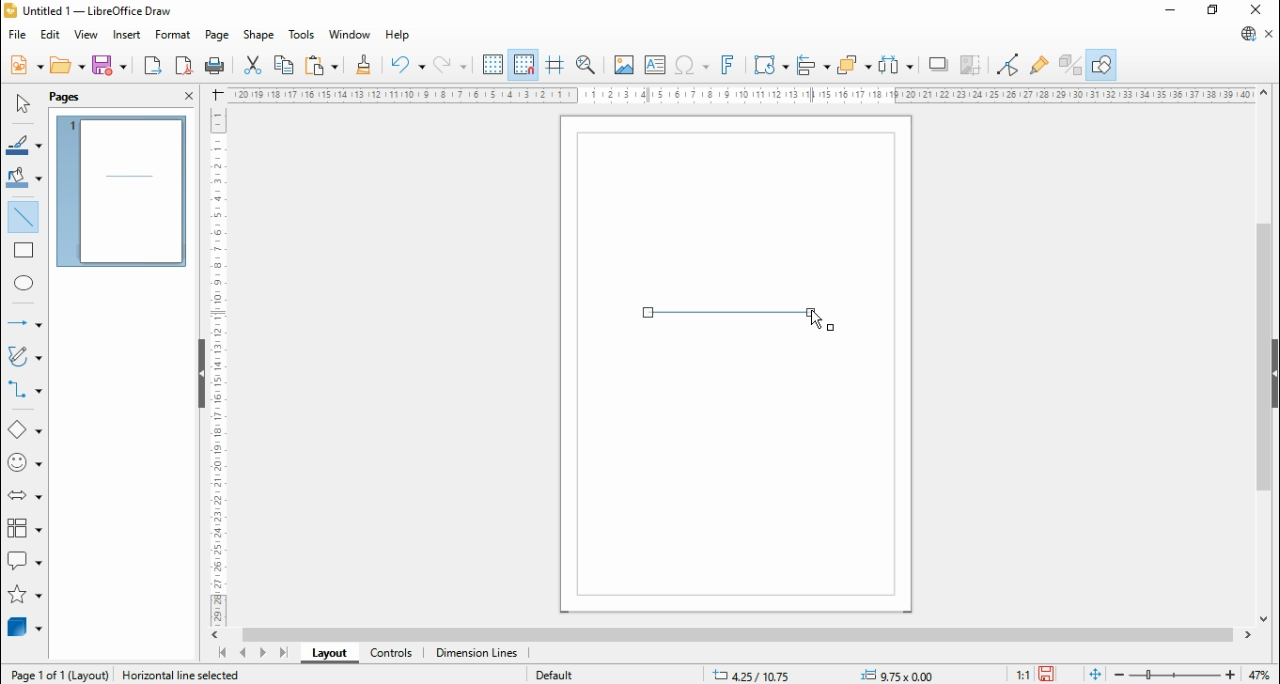  I want to click on page 1, so click(122, 191).